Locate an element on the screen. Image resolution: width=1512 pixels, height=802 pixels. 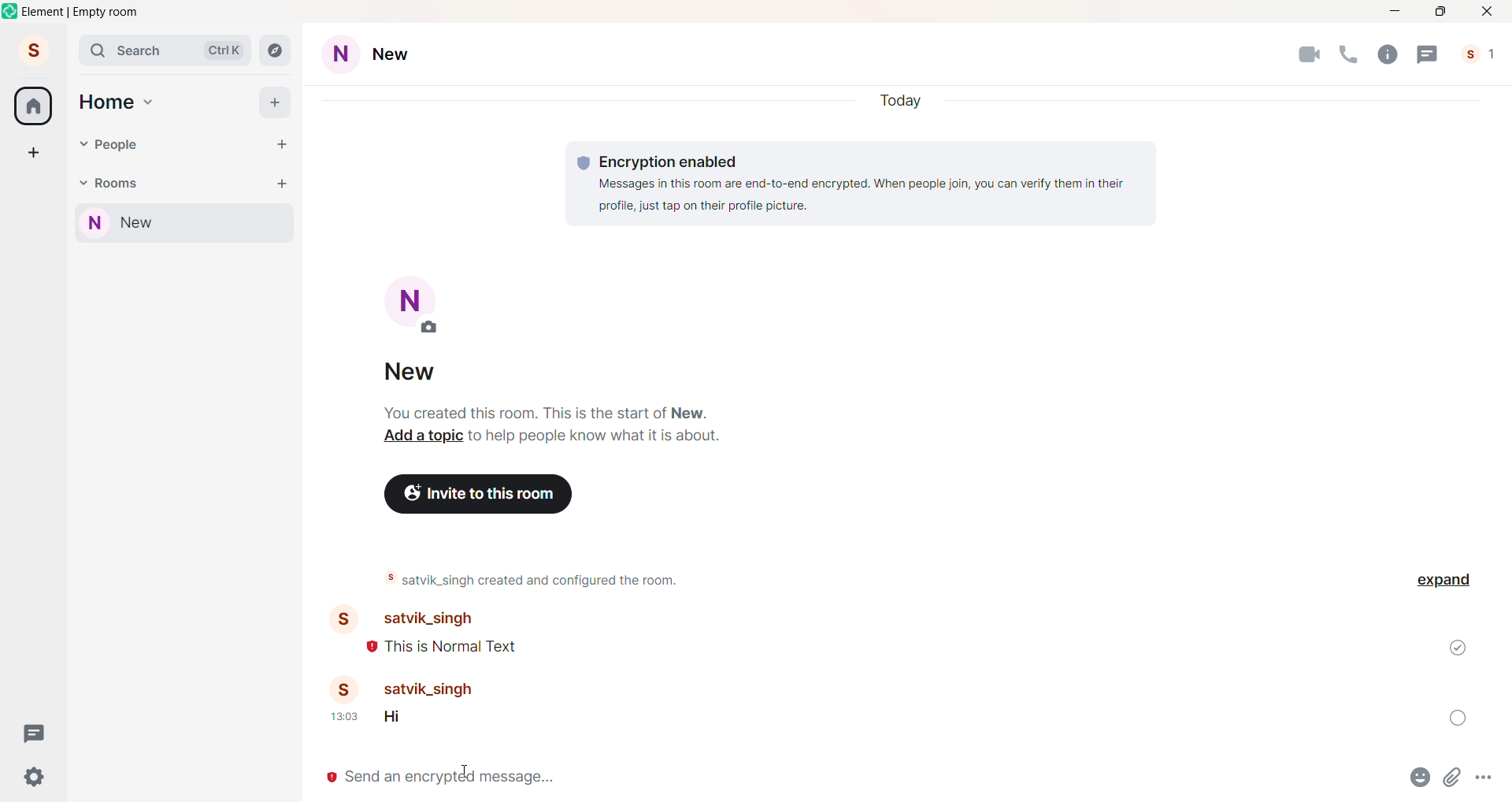
Add Room is located at coordinates (283, 182).